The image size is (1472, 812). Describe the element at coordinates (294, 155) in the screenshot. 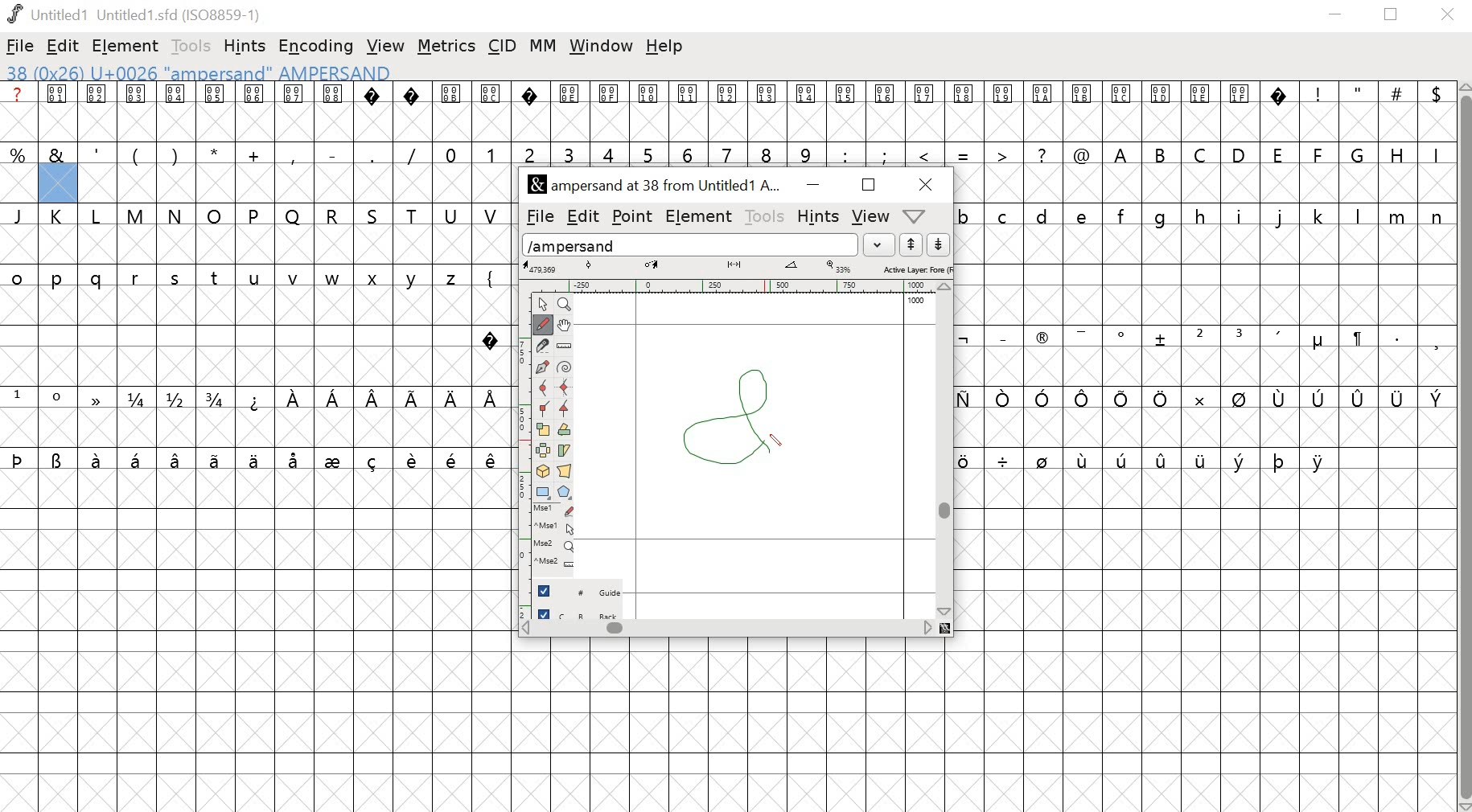

I see `,` at that location.